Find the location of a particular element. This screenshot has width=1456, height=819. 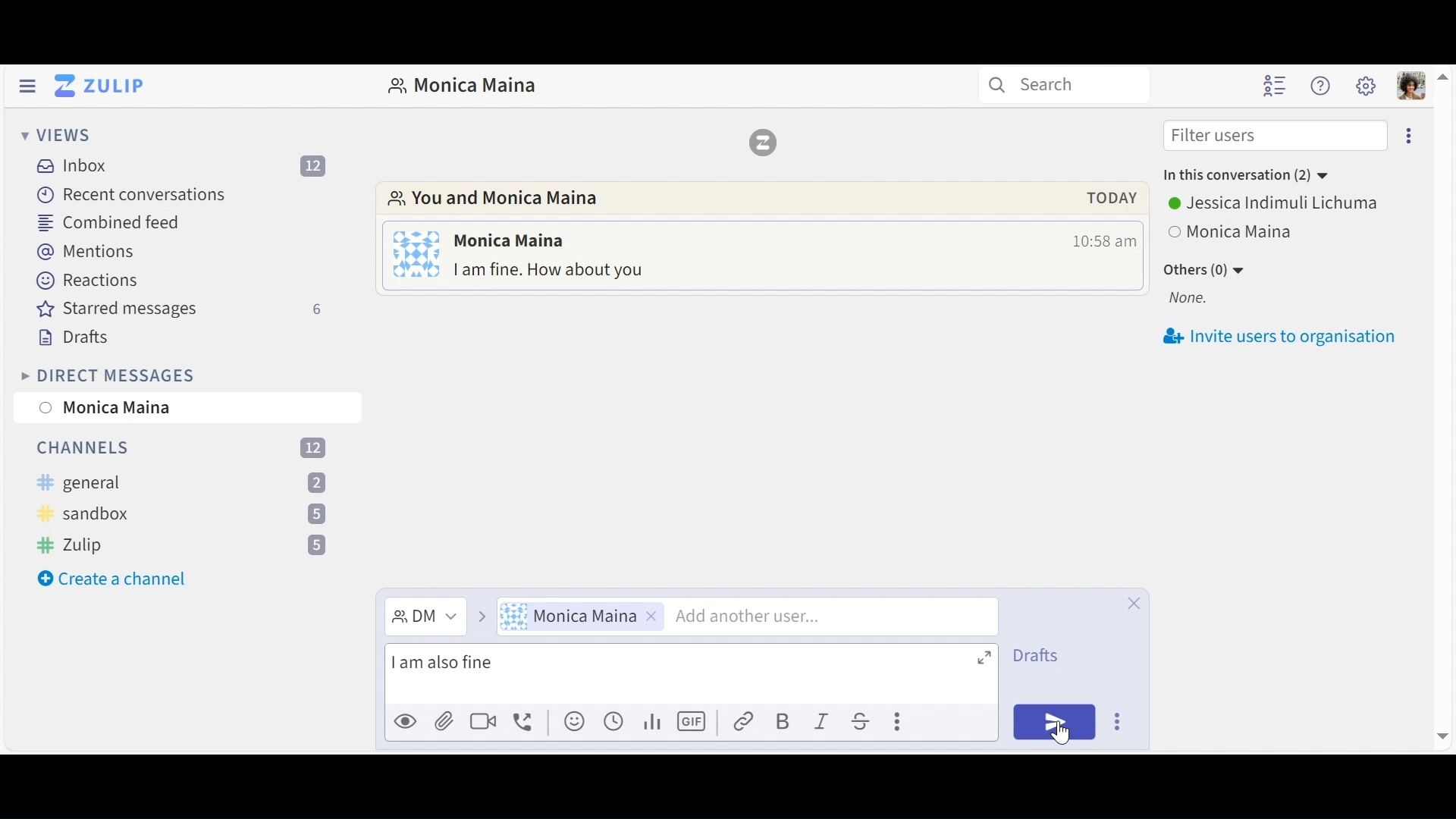

Reactions is located at coordinates (90, 280).